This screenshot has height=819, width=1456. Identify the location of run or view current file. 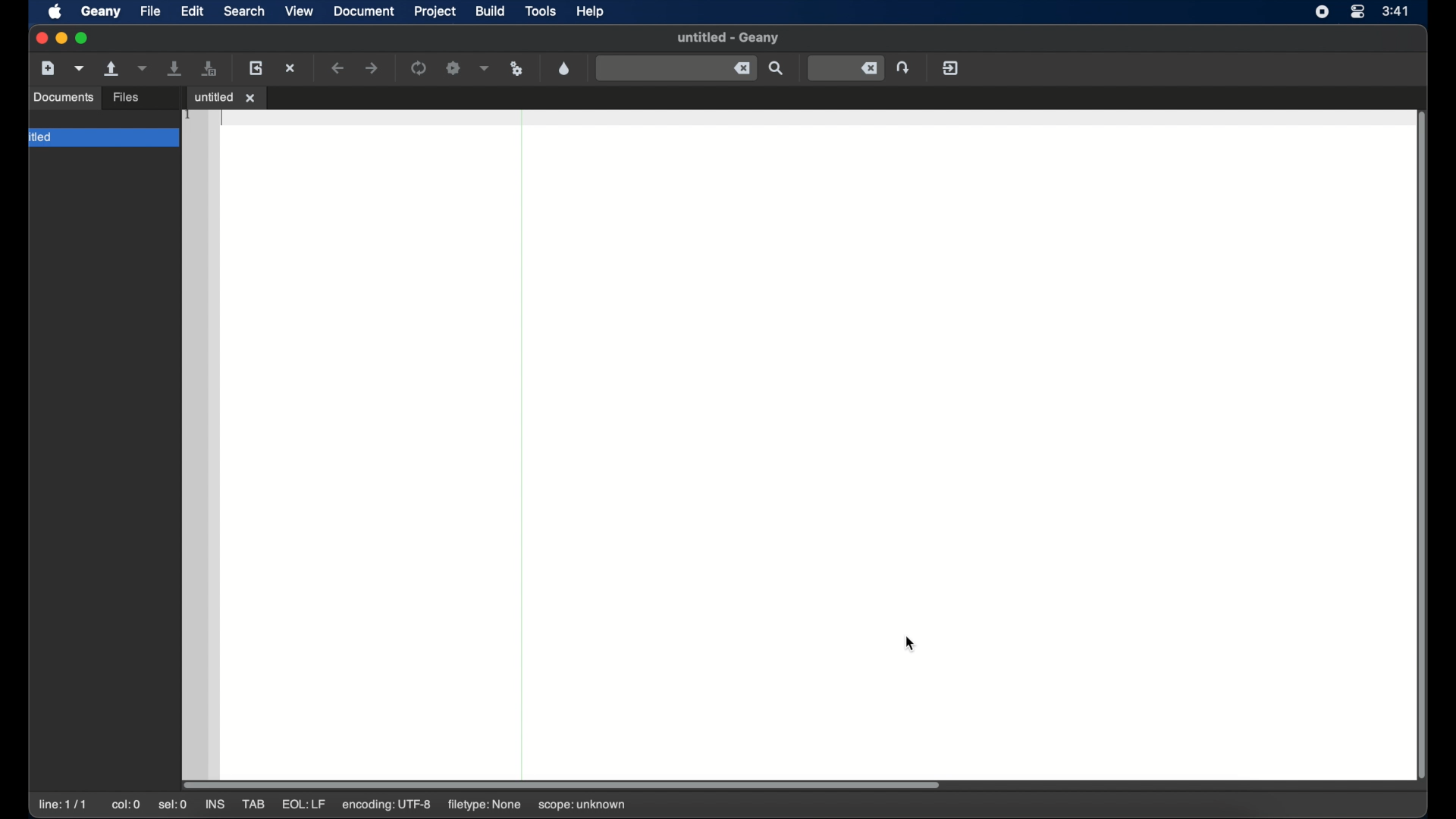
(517, 69).